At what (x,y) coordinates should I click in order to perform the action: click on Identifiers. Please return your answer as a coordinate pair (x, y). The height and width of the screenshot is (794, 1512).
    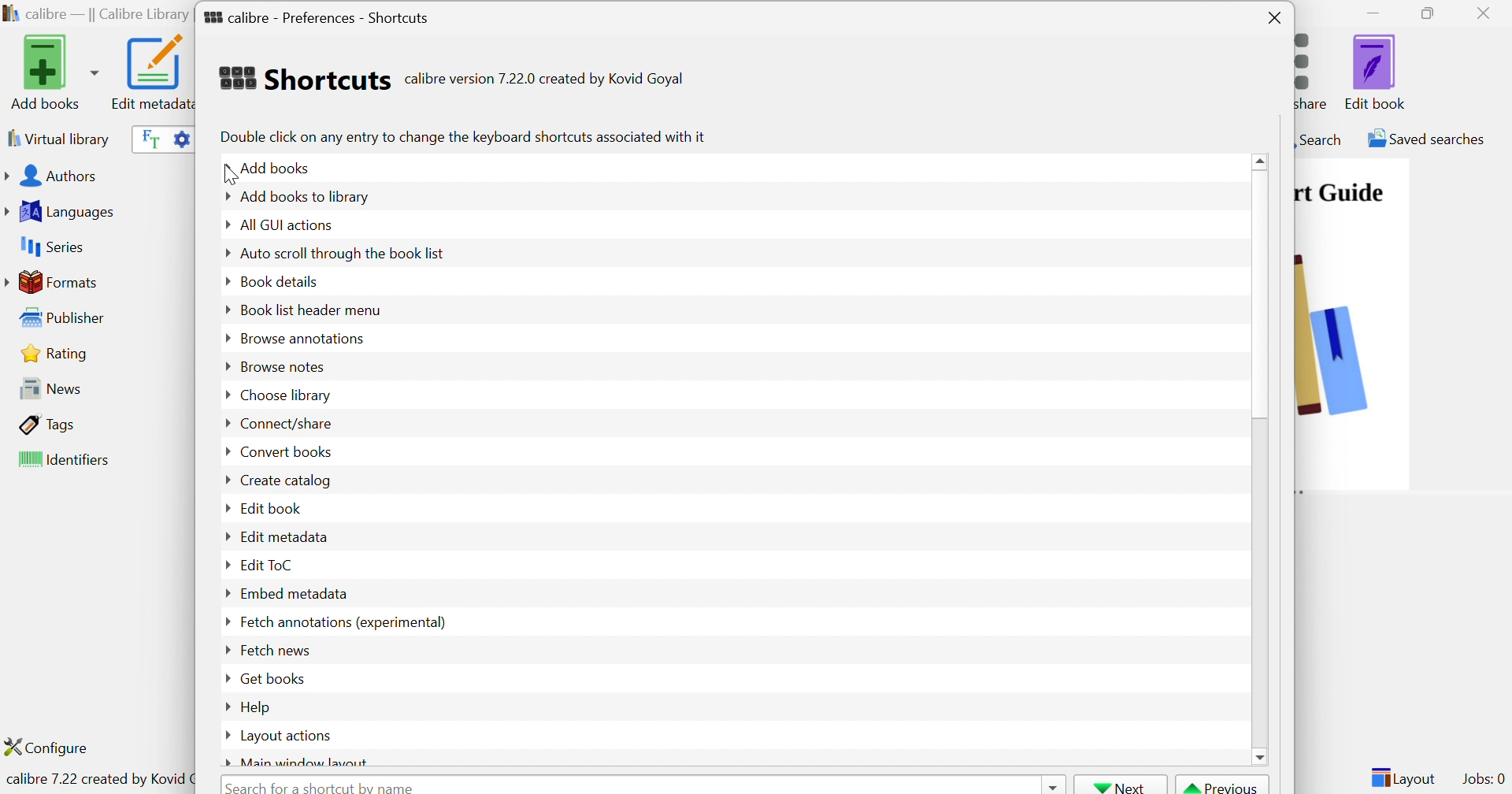
    Looking at the image, I should click on (67, 461).